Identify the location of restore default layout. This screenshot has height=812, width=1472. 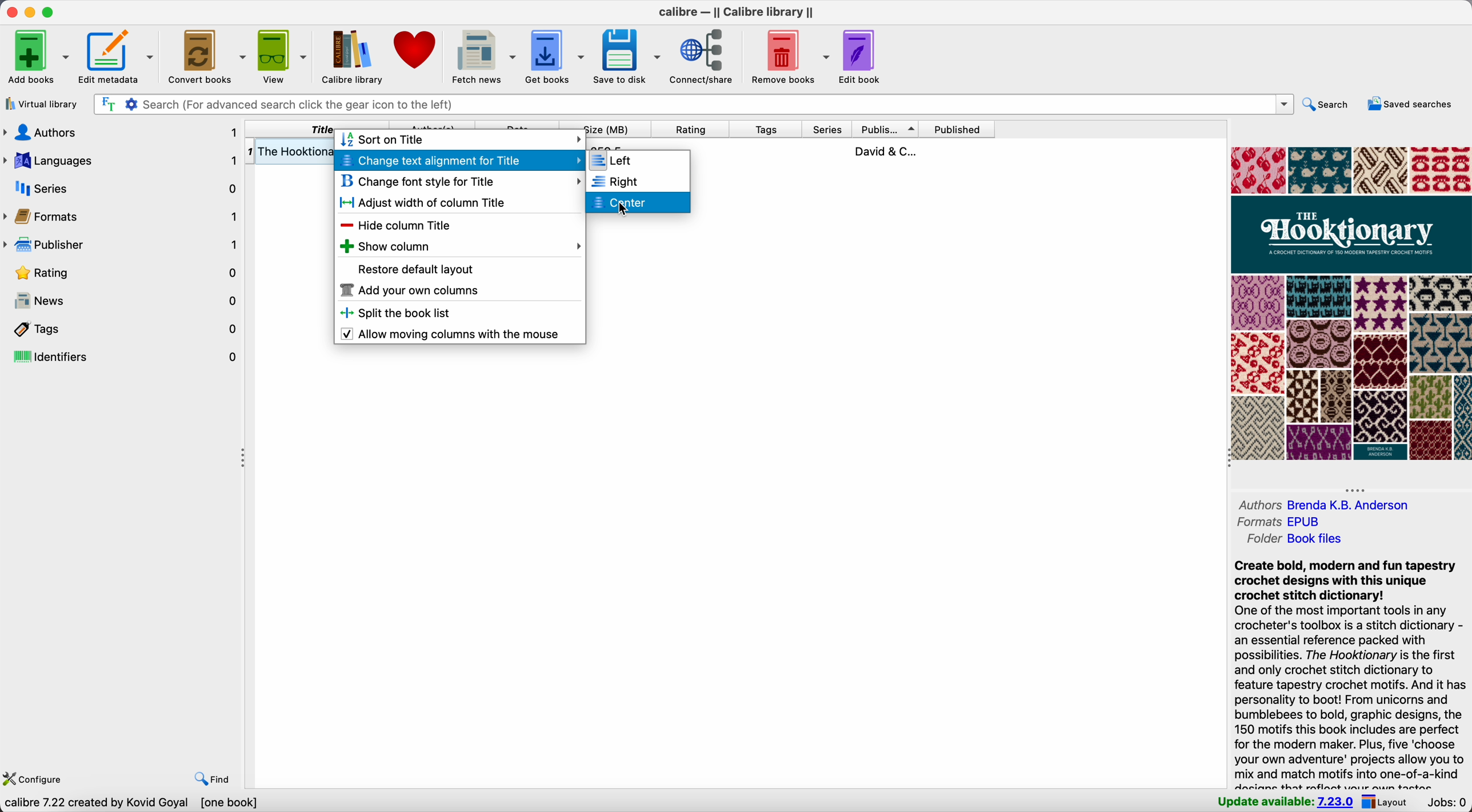
(417, 268).